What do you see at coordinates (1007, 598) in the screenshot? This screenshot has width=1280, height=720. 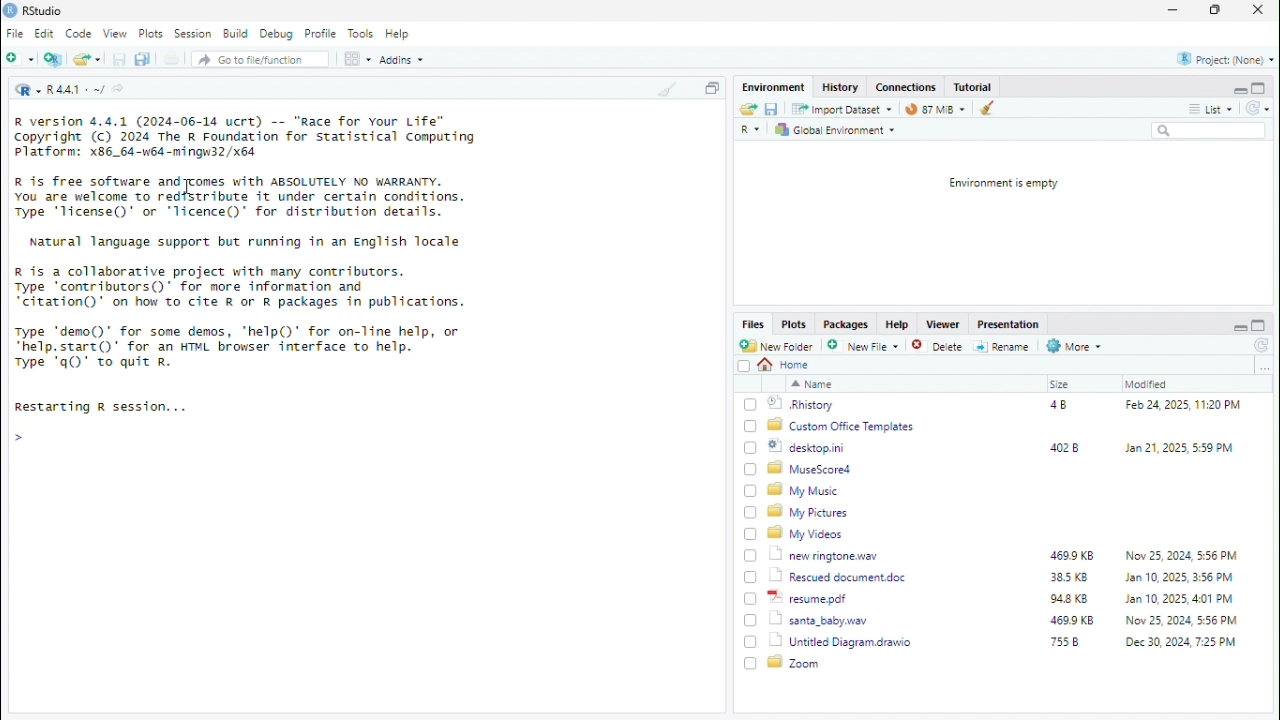 I see `resme.pdf 94.8KB Jan 10, 2025, 401 PM` at bounding box center [1007, 598].